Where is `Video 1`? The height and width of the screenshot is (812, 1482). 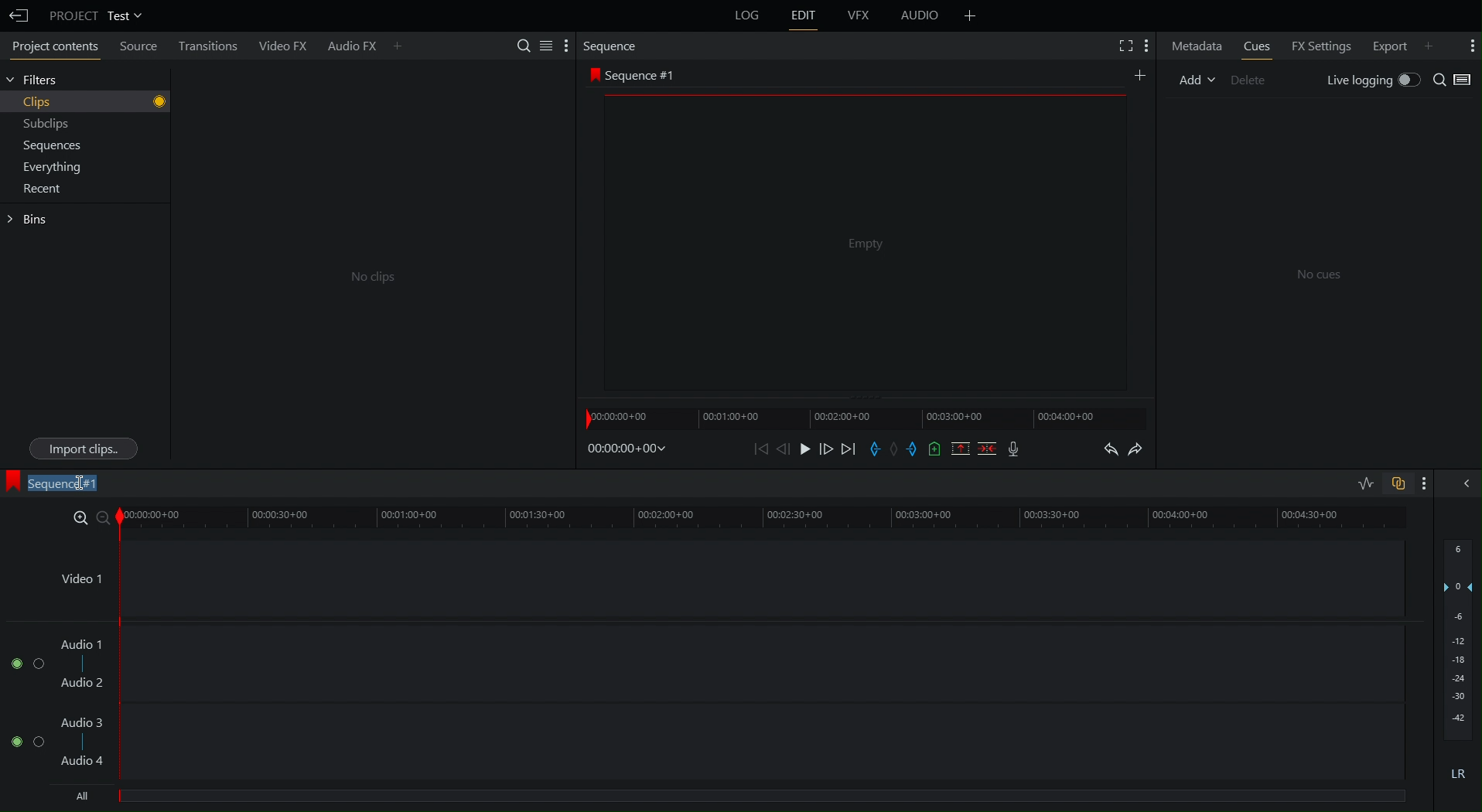
Video 1 is located at coordinates (79, 575).